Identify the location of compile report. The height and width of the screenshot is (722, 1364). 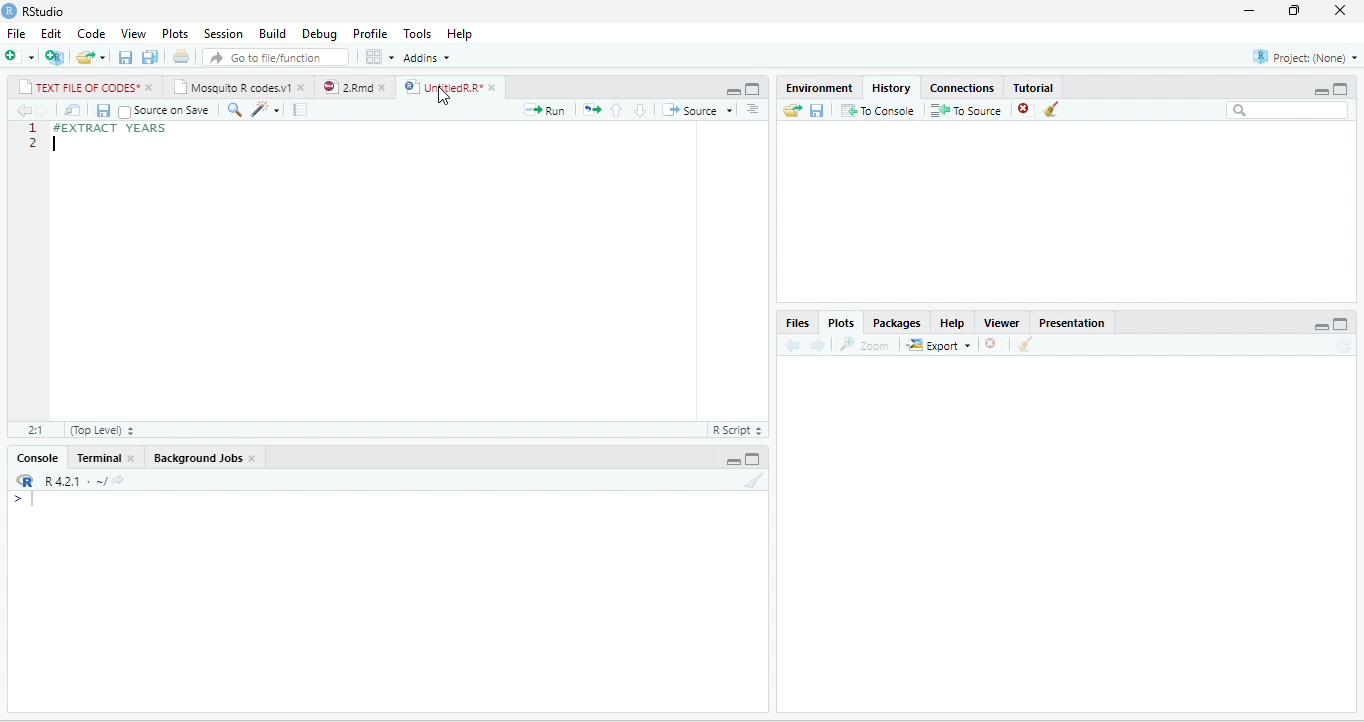
(300, 109).